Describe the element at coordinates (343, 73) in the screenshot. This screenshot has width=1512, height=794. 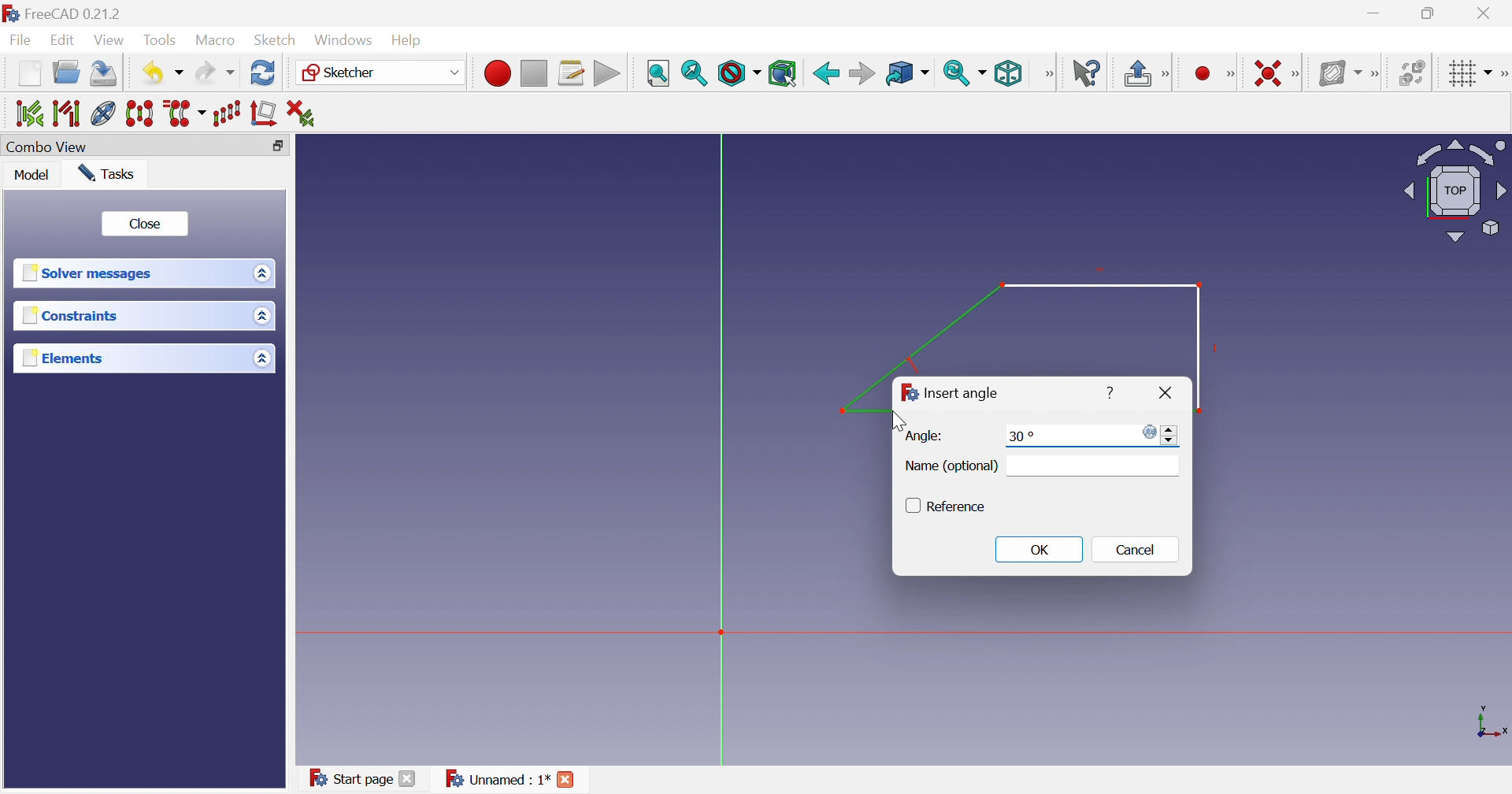
I see `Sketcher` at that location.